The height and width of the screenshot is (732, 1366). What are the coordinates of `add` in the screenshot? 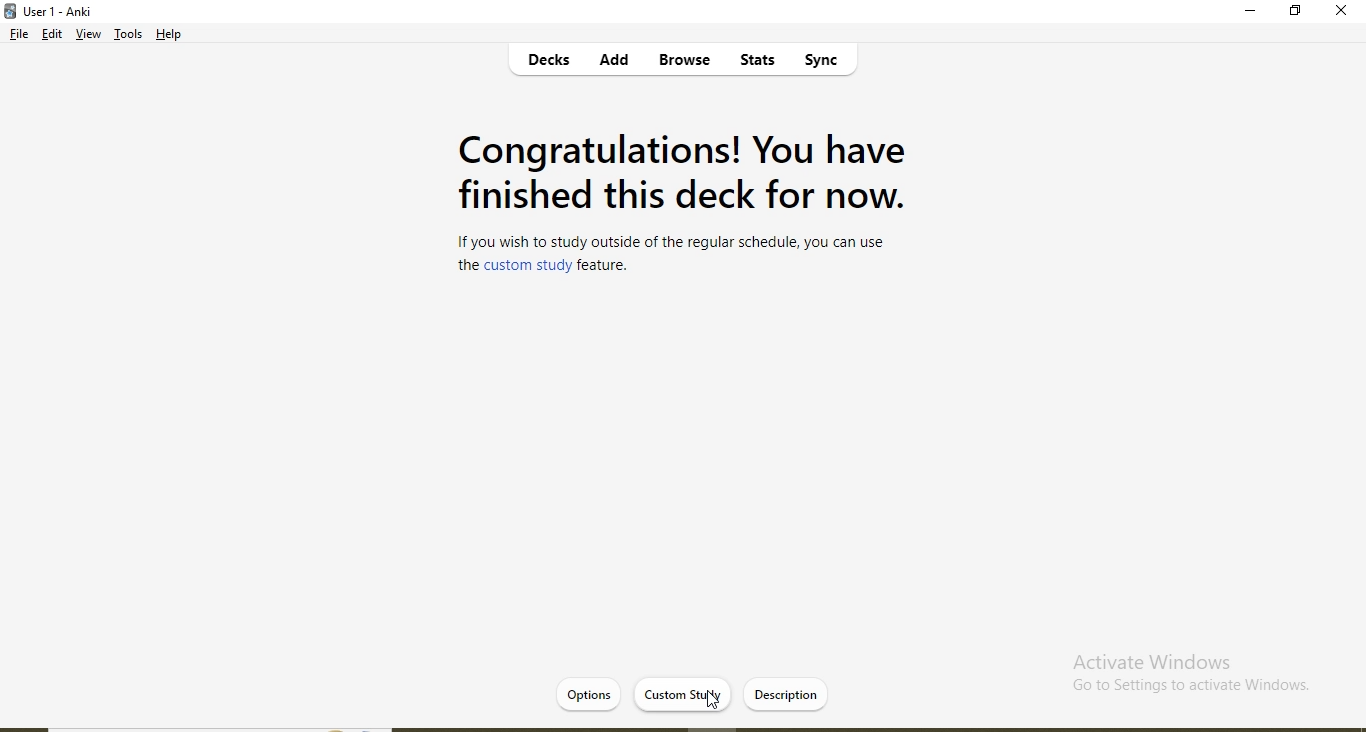 It's located at (615, 62).